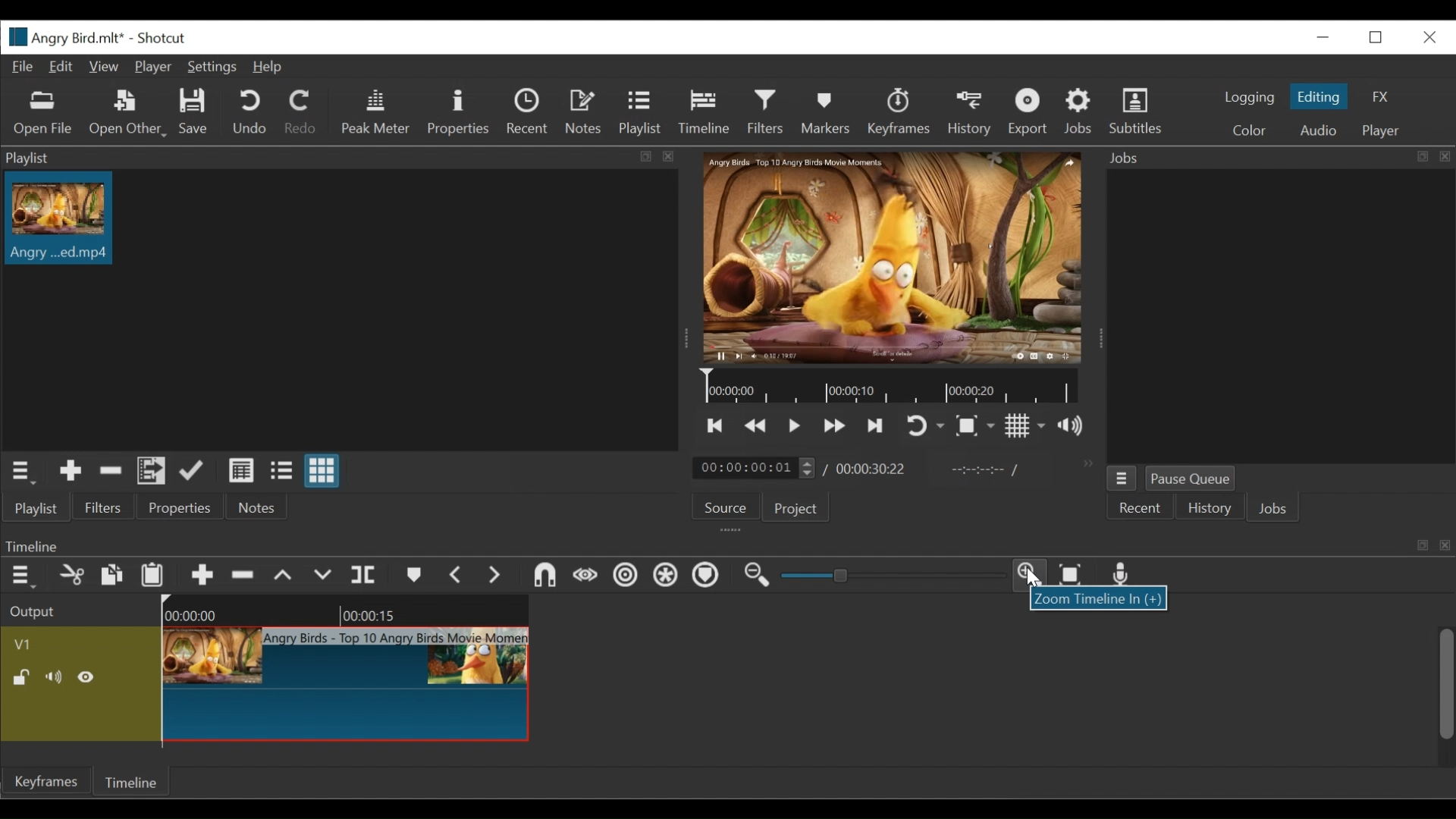 This screenshot has height=819, width=1456. I want to click on Add Source to the playlist, so click(74, 472).